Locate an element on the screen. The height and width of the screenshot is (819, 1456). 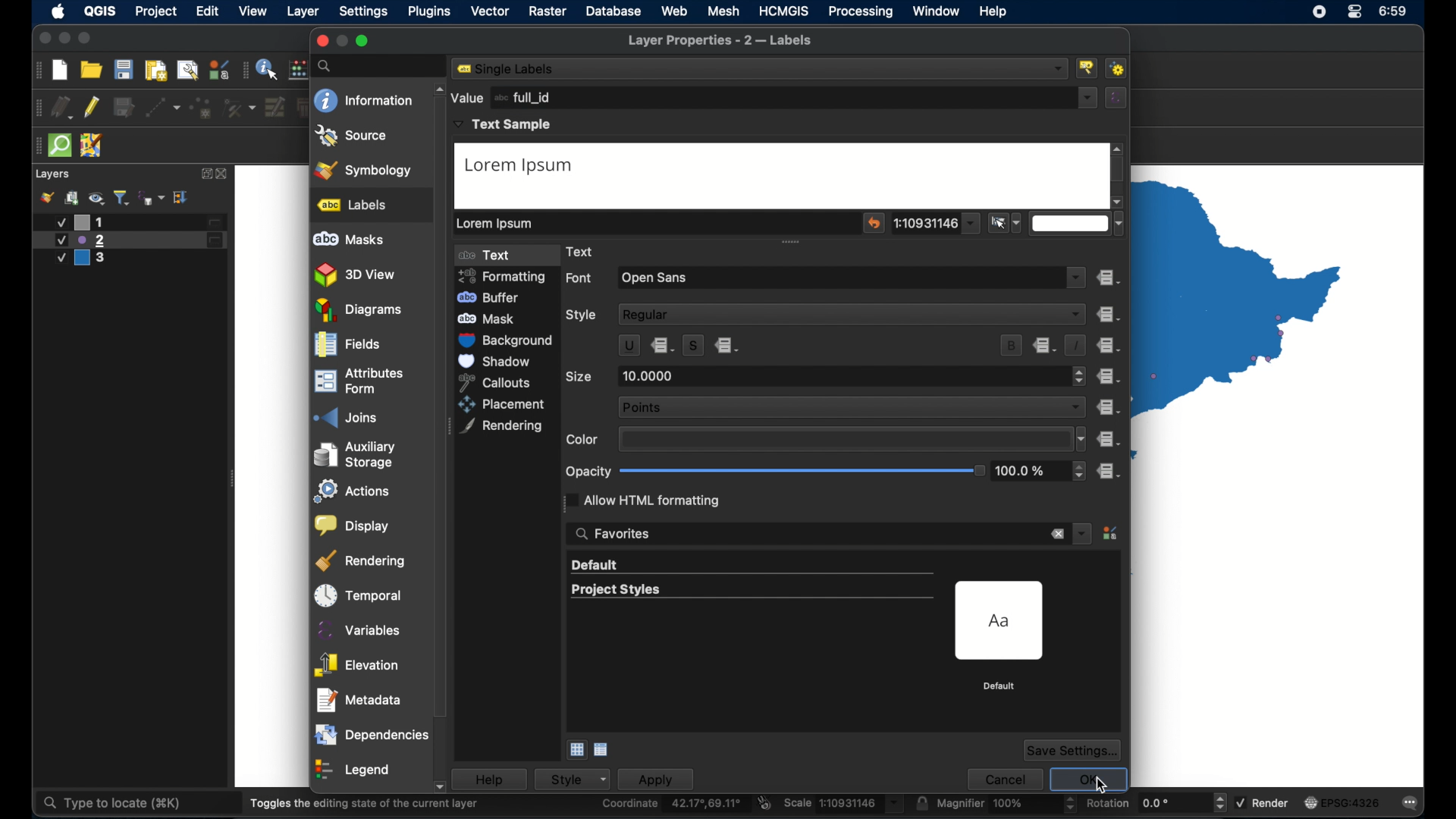
identify feature is located at coordinates (268, 68).